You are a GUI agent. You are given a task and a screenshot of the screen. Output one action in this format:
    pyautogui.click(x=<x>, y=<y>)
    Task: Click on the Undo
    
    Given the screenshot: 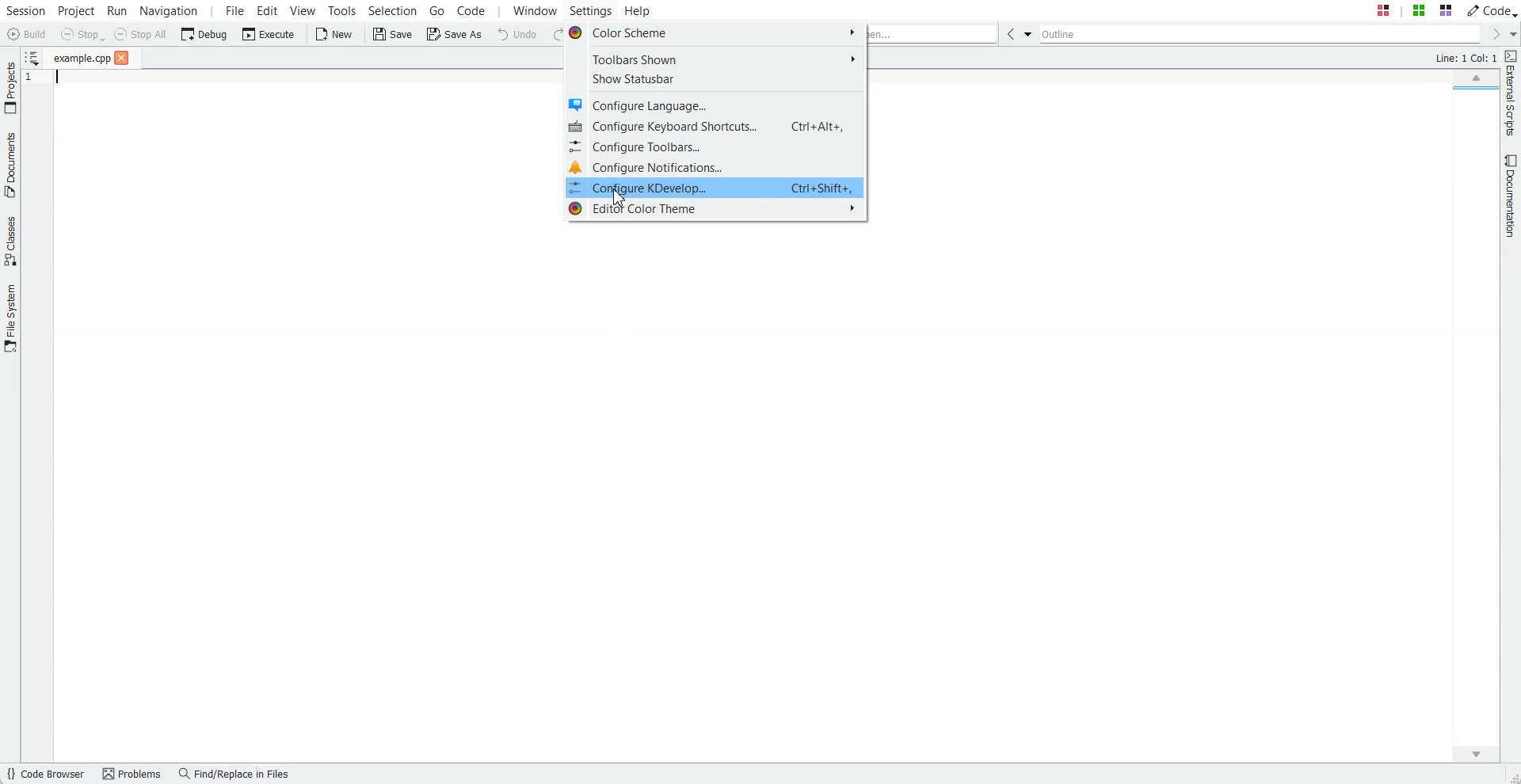 What is the action you would take?
    pyautogui.click(x=517, y=35)
    